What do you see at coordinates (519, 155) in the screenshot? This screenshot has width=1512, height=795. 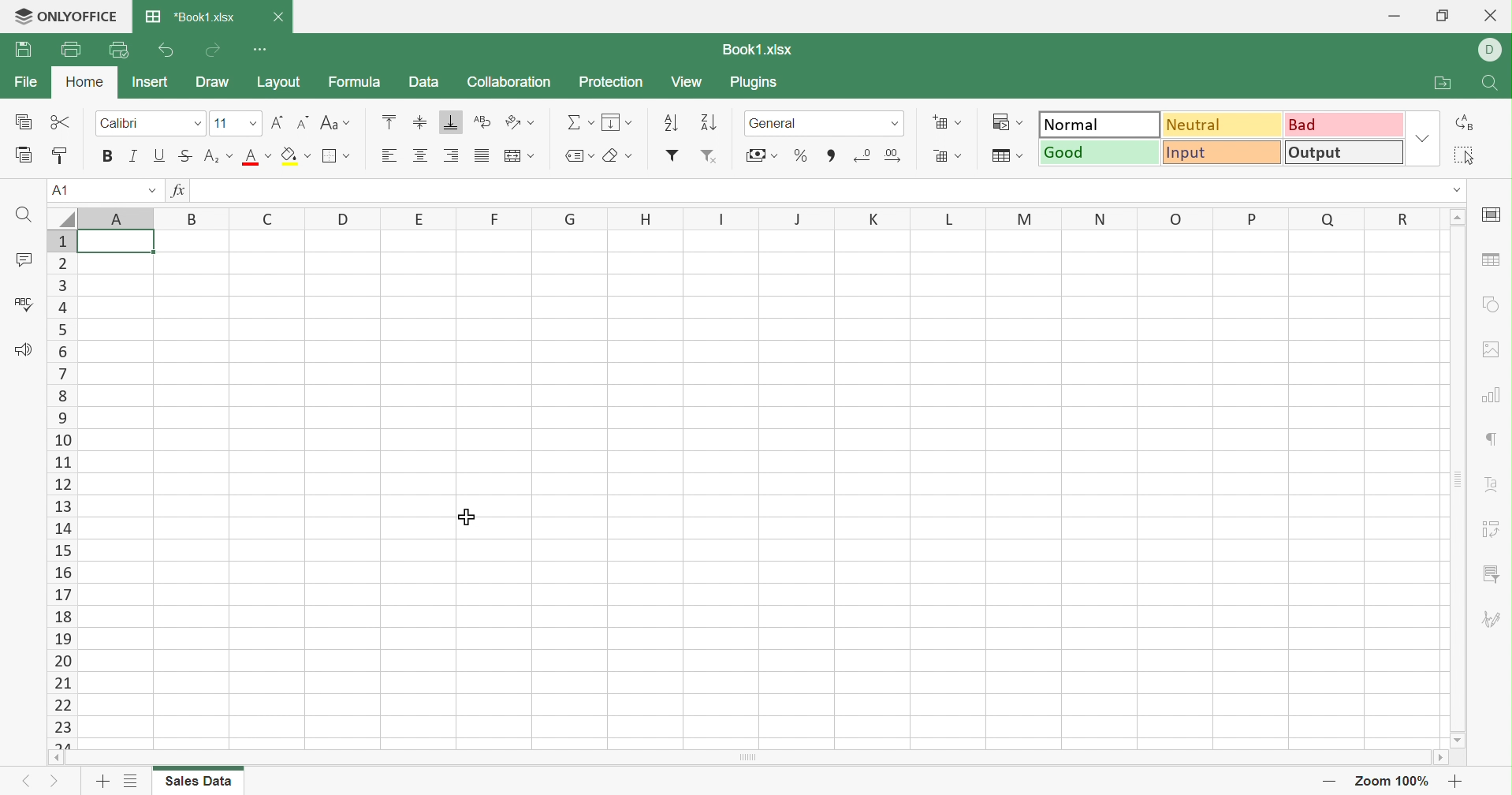 I see `Merge and center` at bounding box center [519, 155].